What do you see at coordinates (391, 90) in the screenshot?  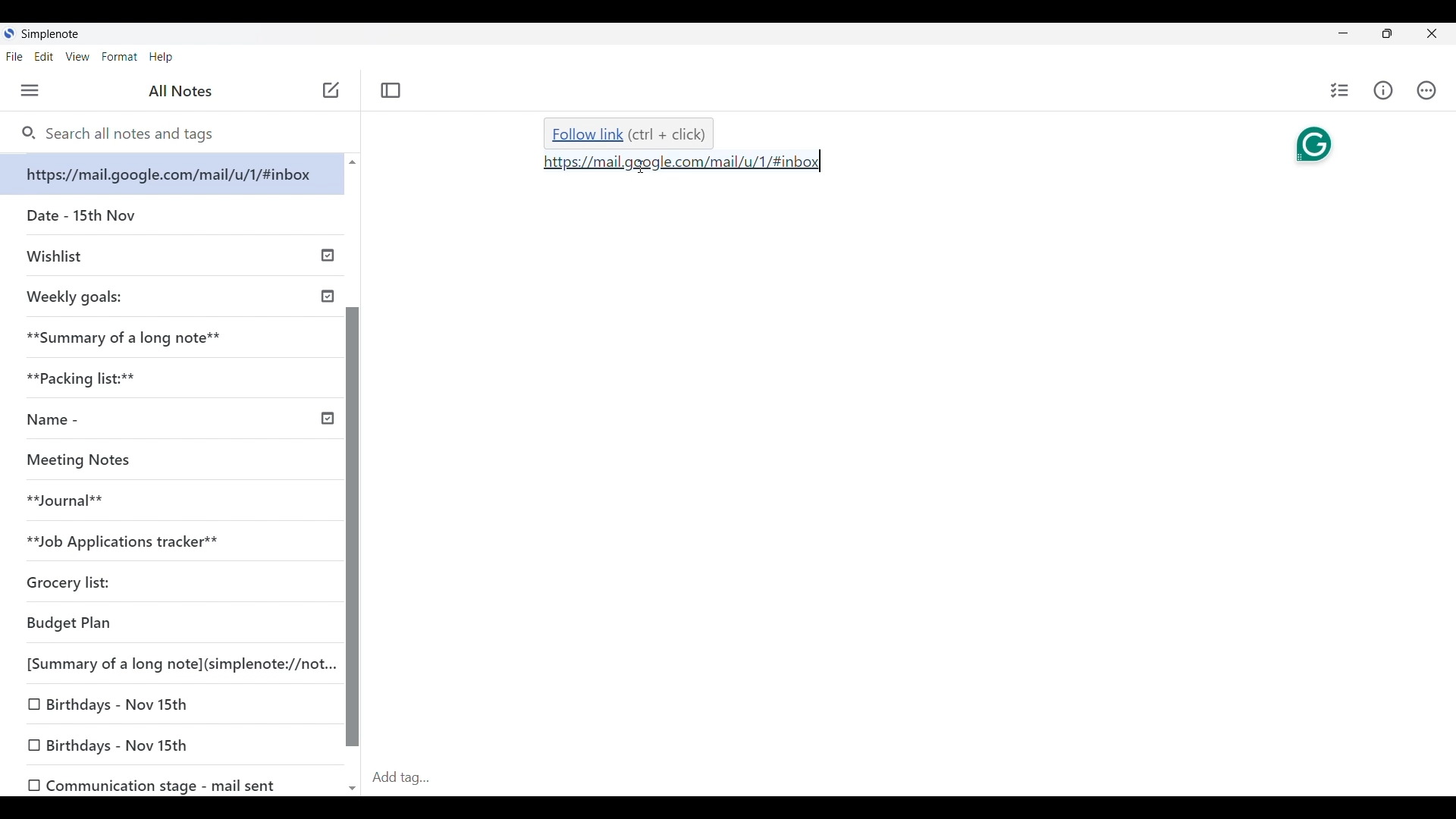 I see `Toggle focus mode` at bounding box center [391, 90].